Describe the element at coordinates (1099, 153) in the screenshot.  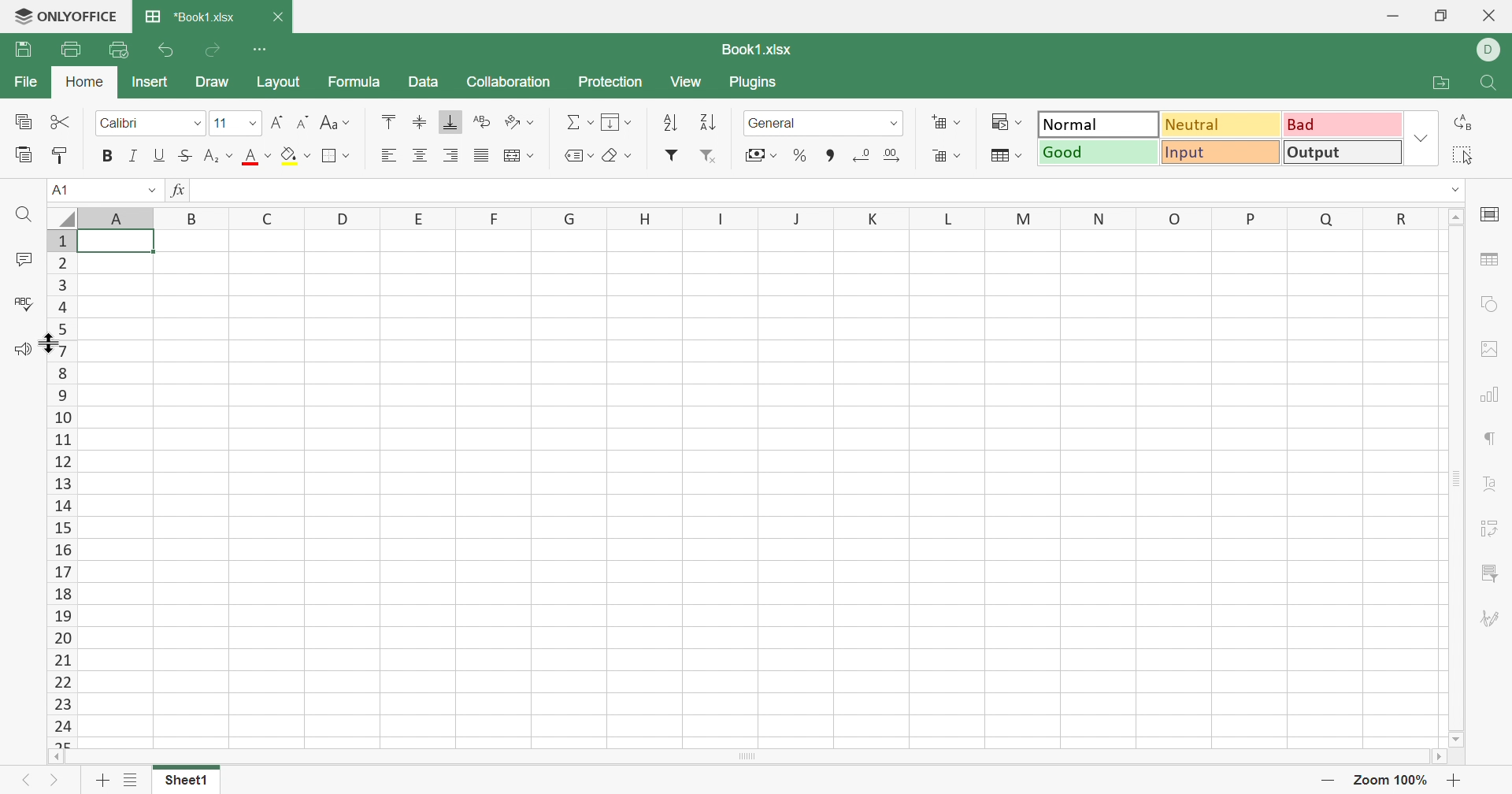
I see `Good` at that location.